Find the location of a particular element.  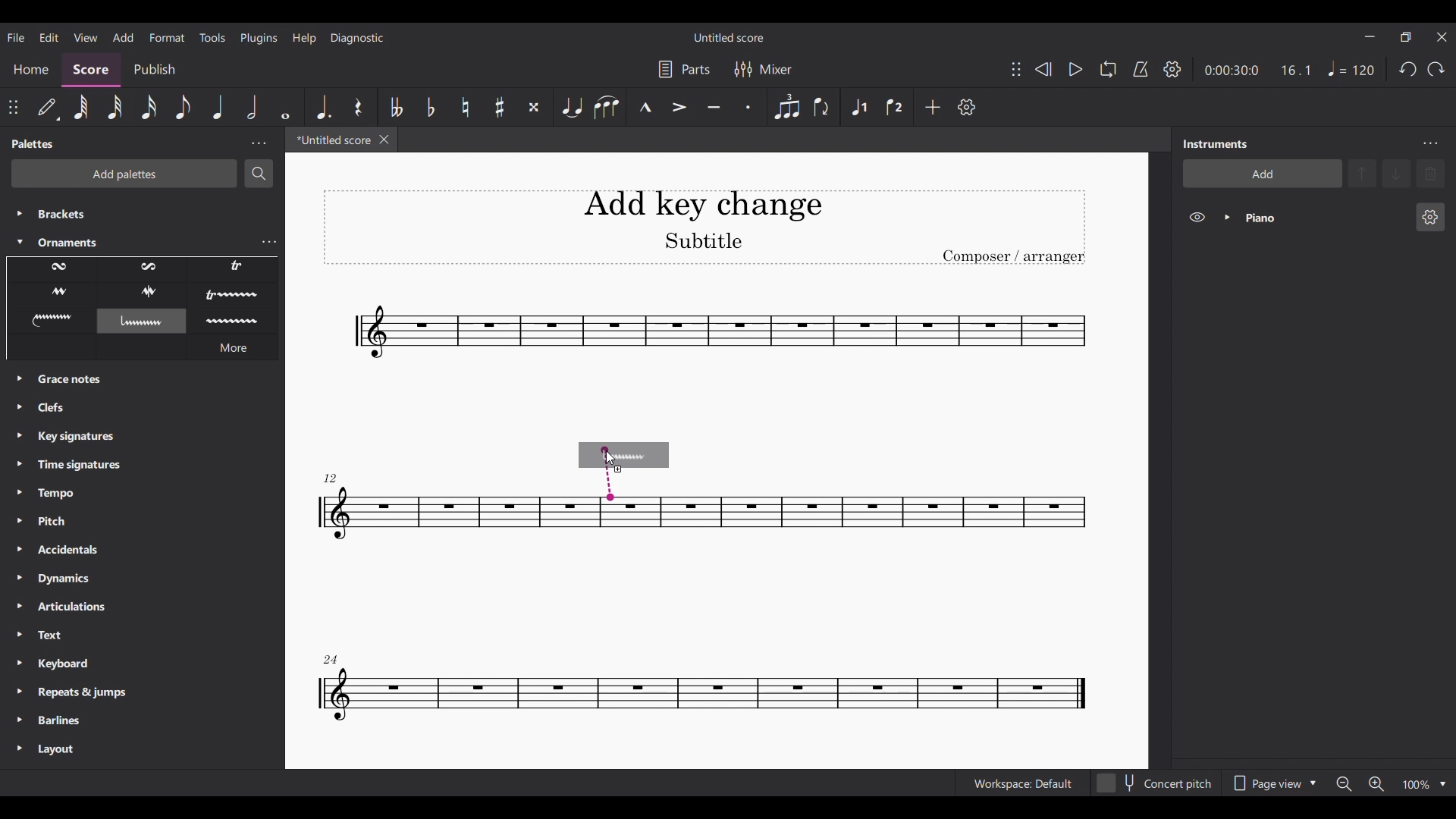

Close tab is located at coordinates (384, 140).